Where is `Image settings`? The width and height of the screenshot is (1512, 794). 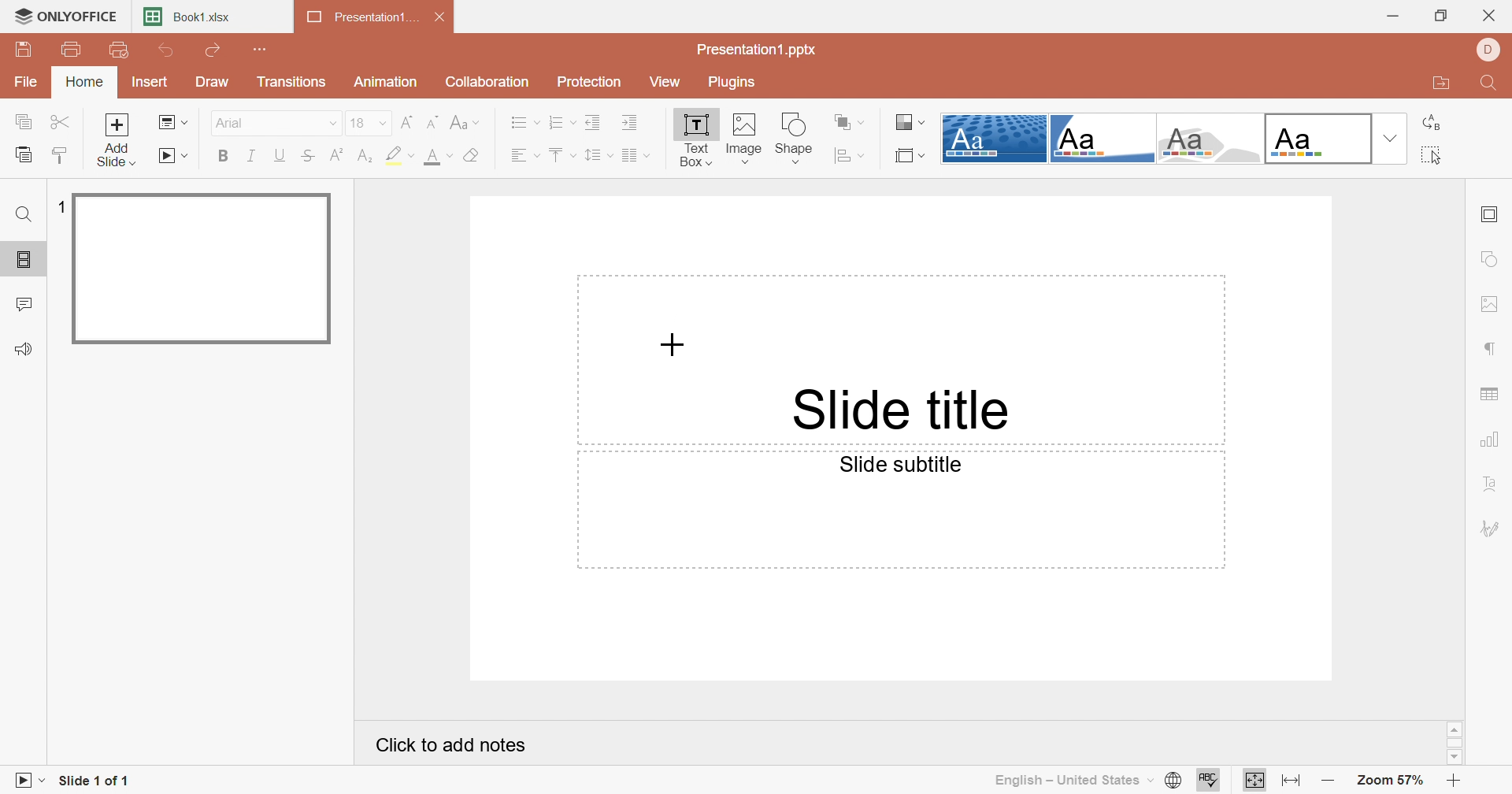 Image settings is located at coordinates (1492, 304).